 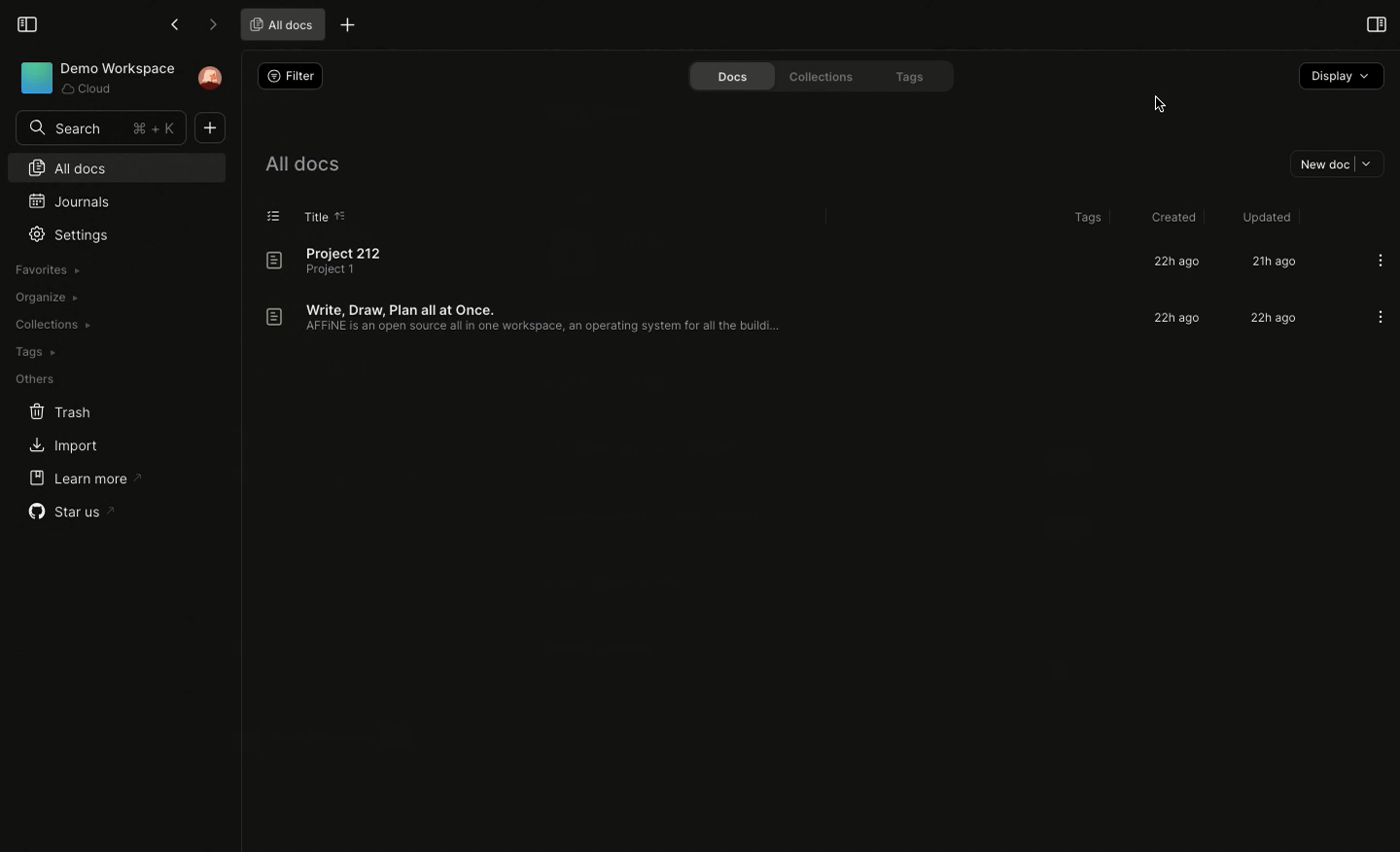 What do you see at coordinates (34, 352) in the screenshot?
I see `Tags` at bounding box center [34, 352].